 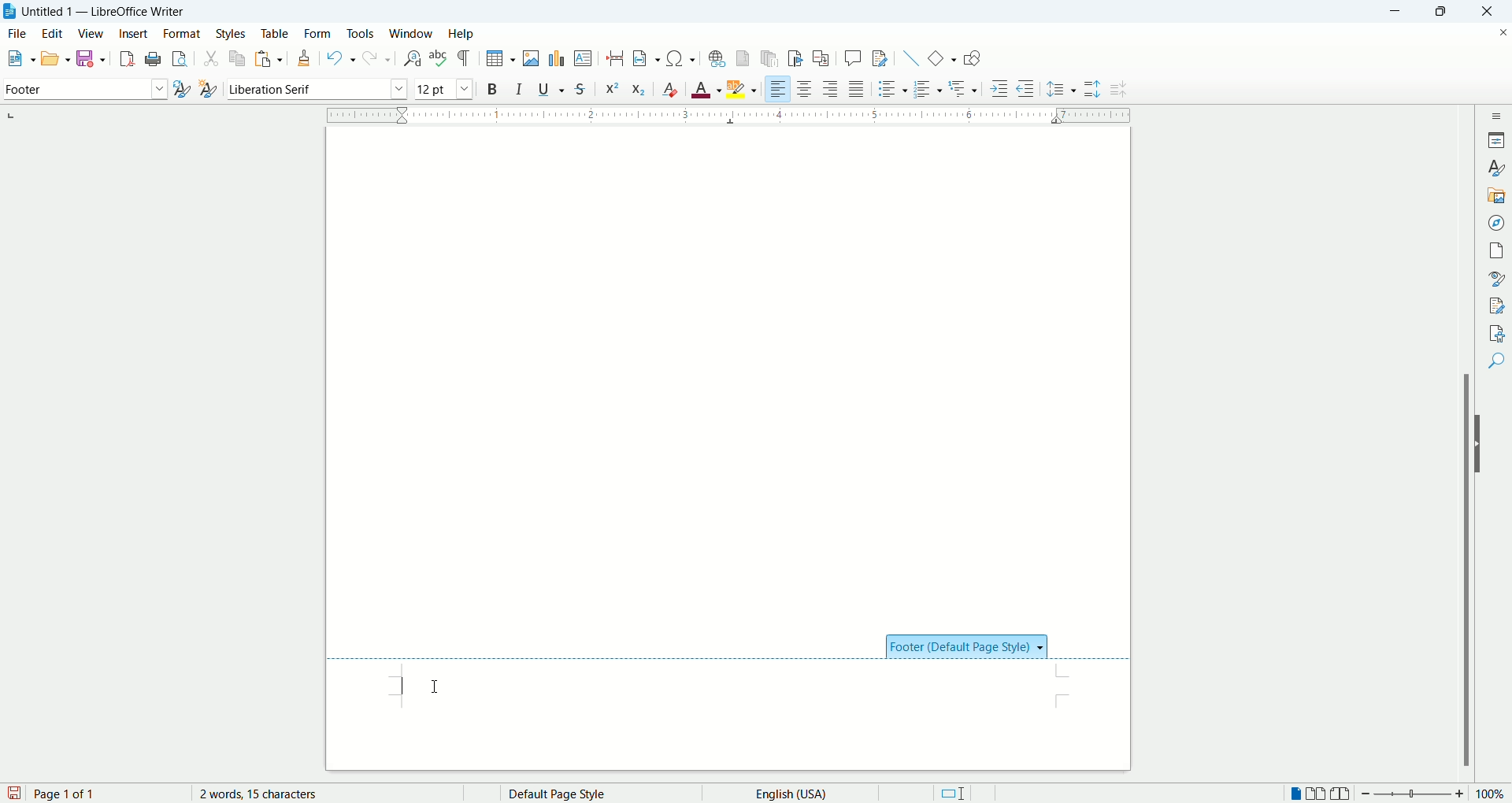 What do you see at coordinates (467, 57) in the screenshot?
I see `formatting marks` at bounding box center [467, 57].